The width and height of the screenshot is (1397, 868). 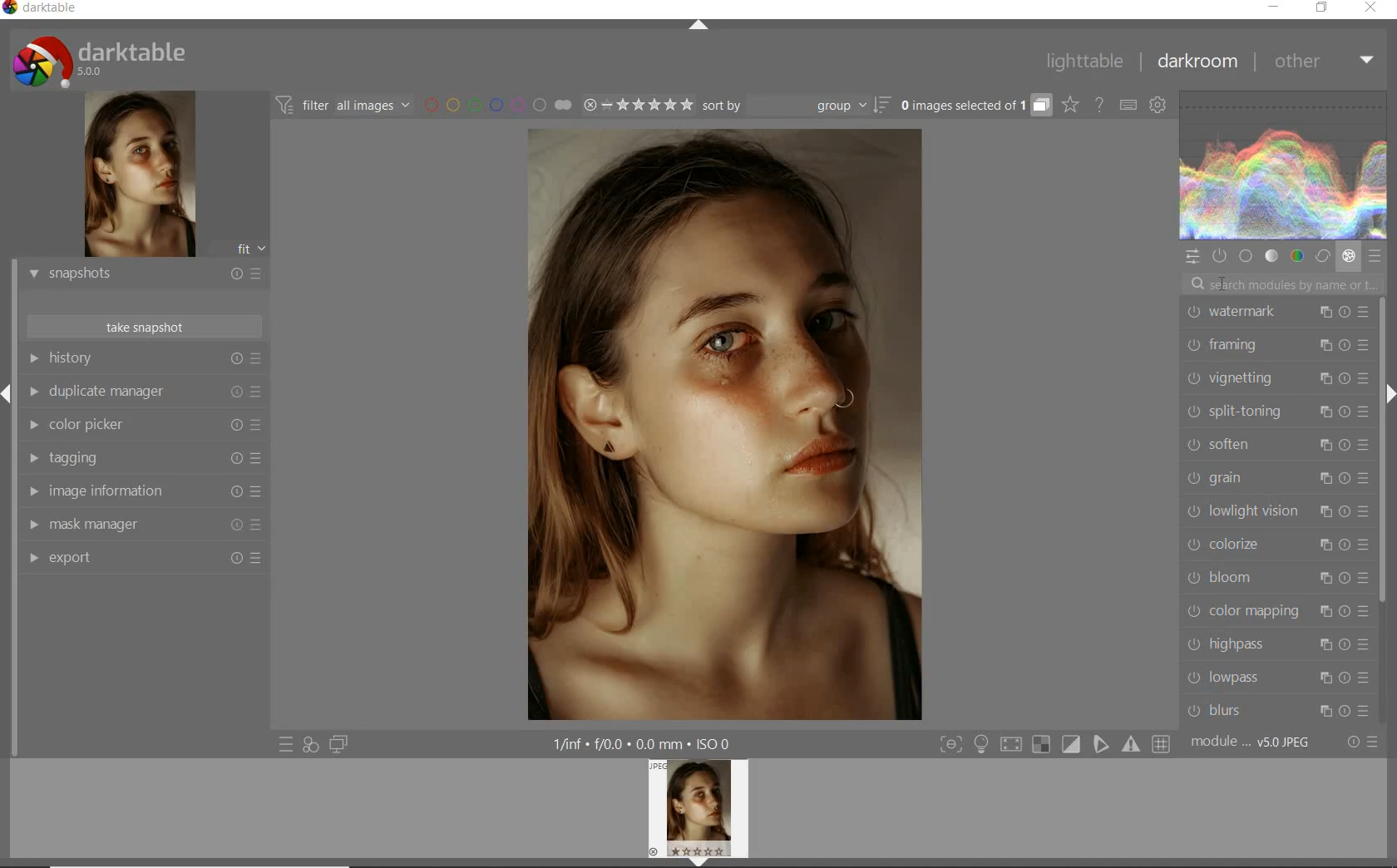 I want to click on quick access panel, so click(x=1191, y=257).